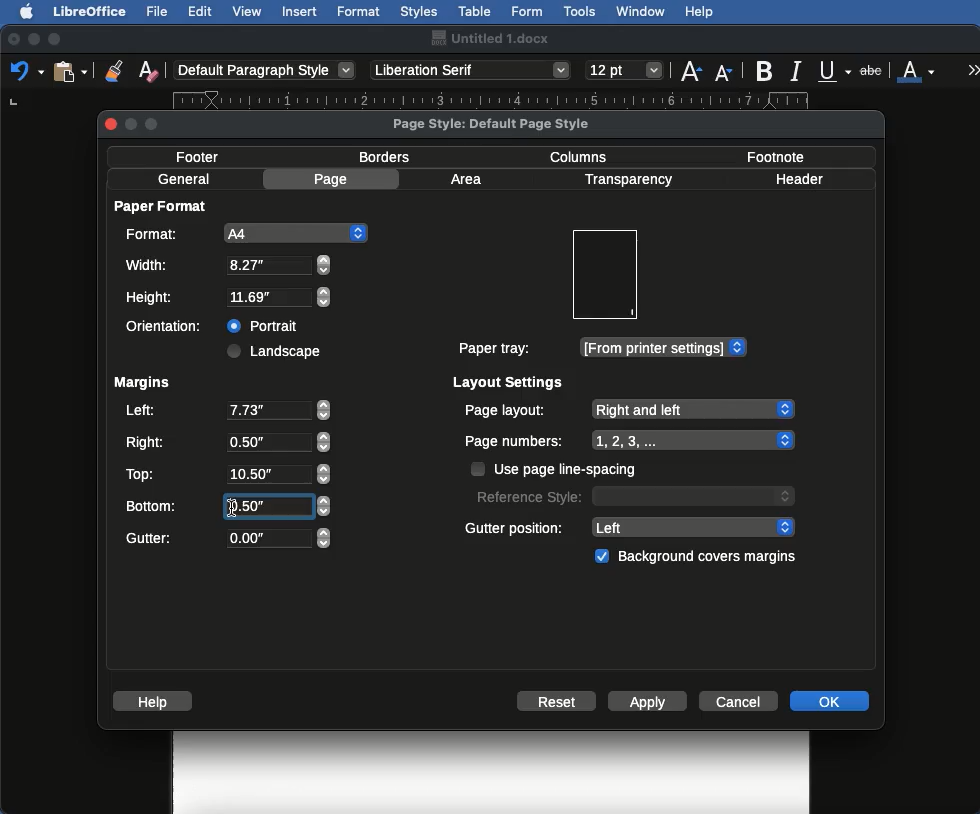 The height and width of the screenshot is (814, 980). I want to click on Form, so click(527, 12).